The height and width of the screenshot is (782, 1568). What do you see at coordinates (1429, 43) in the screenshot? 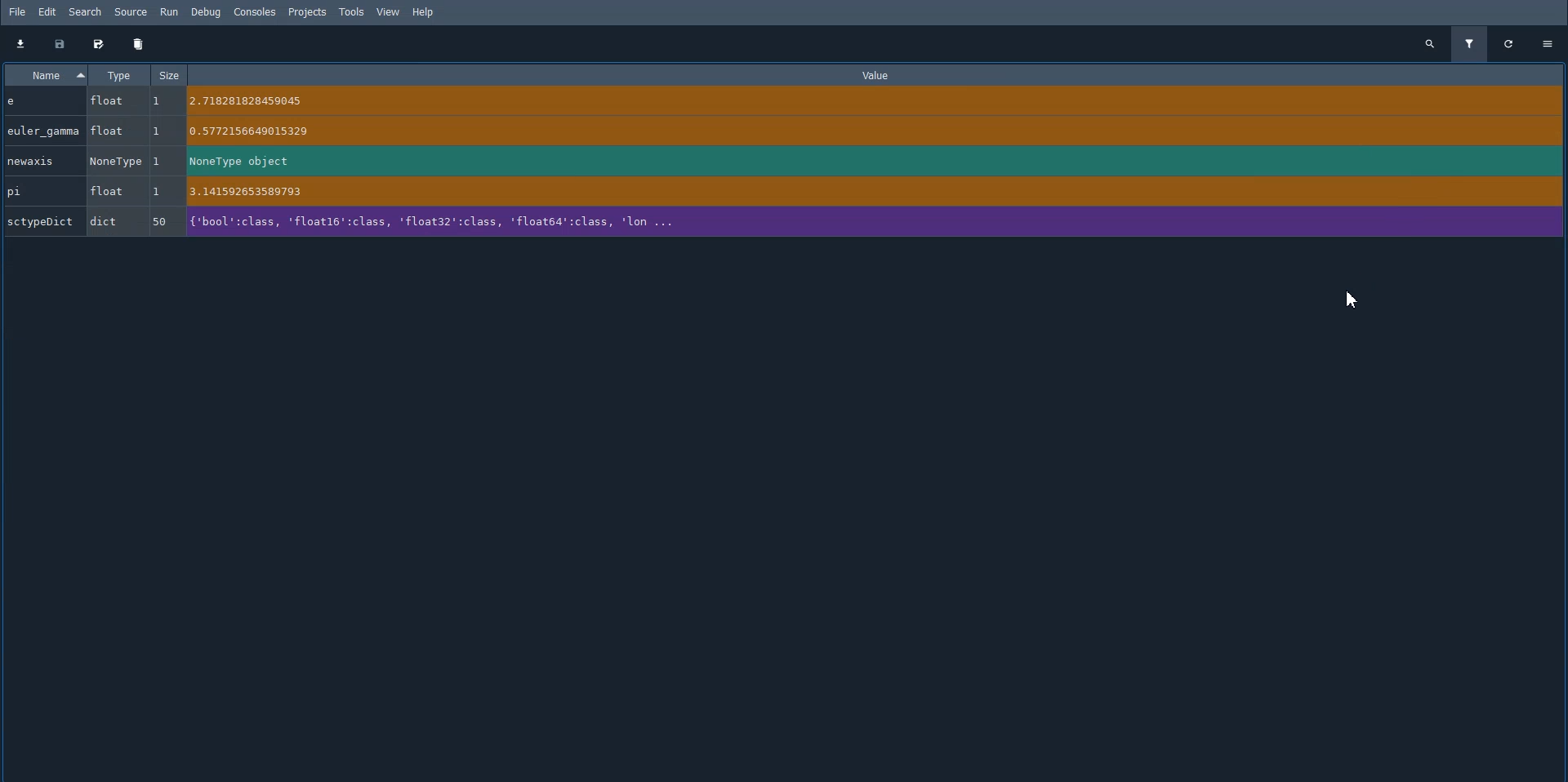
I see `Search Variables` at bounding box center [1429, 43].